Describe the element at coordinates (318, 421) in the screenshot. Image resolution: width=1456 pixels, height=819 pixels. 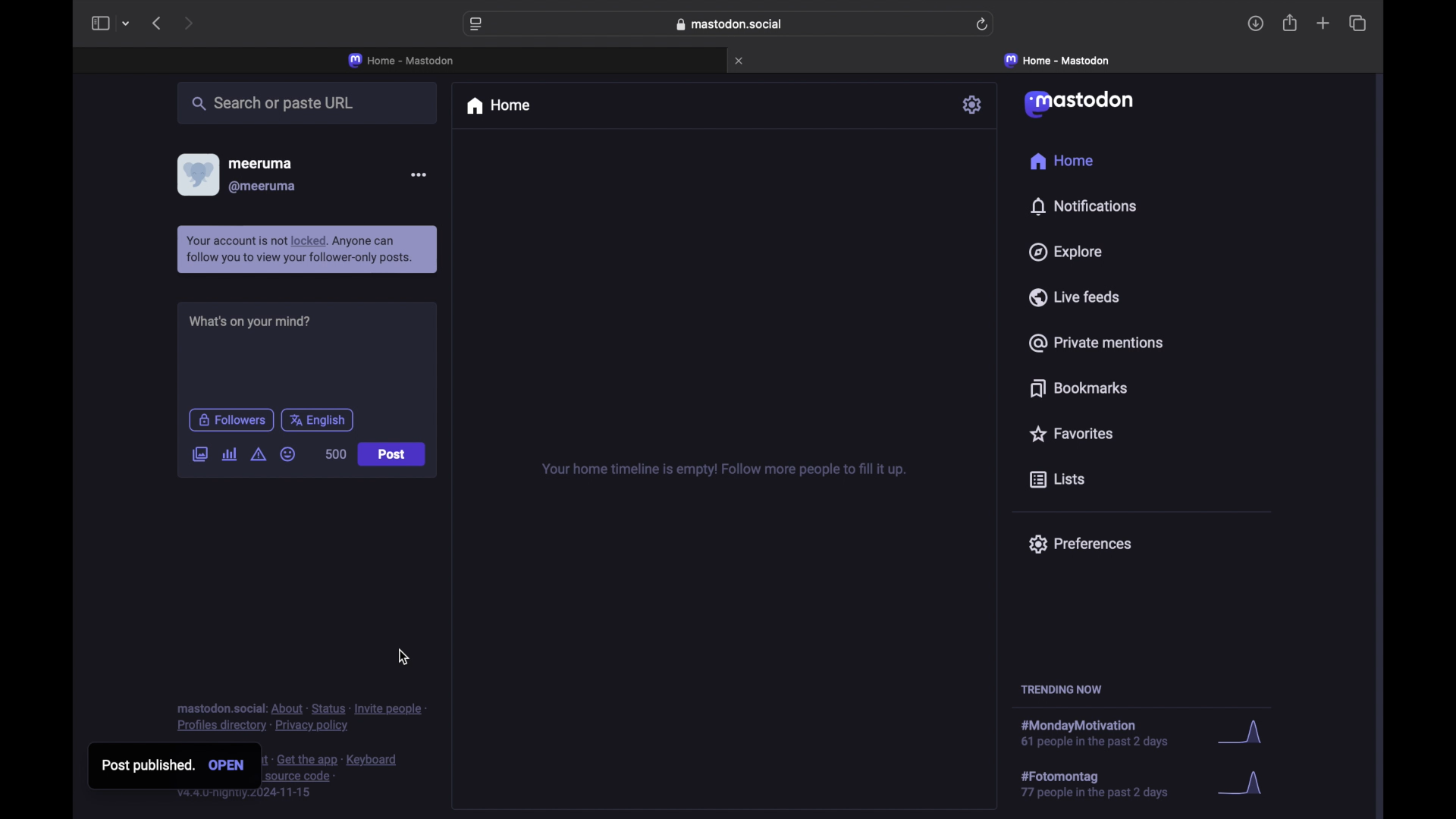
I see `english` at that location.